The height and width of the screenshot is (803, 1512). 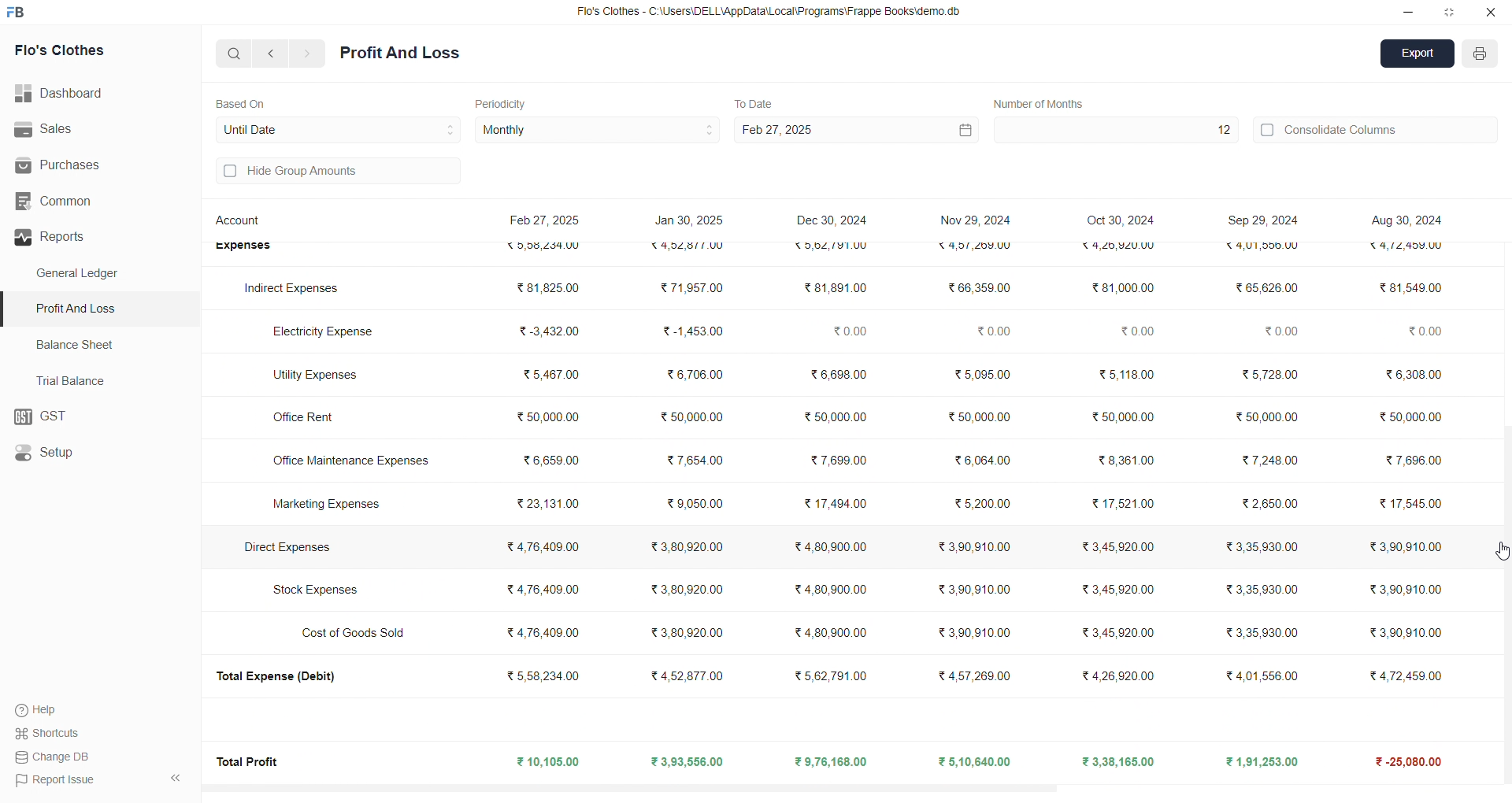 What do you see at coordinates (1449, 12) in the screenshot?
I see `resize` at bounding box center [1449, 12].